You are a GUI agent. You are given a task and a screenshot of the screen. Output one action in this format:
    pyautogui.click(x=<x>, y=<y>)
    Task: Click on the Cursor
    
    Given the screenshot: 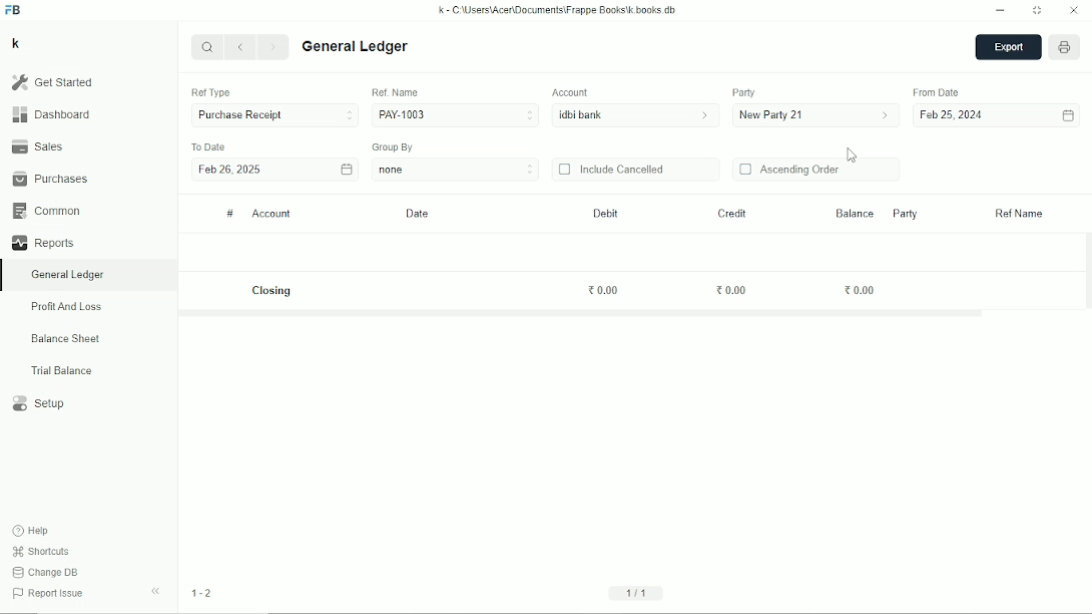 What is the action you would take?
    pyautogui.click(x=853, y=155)
    